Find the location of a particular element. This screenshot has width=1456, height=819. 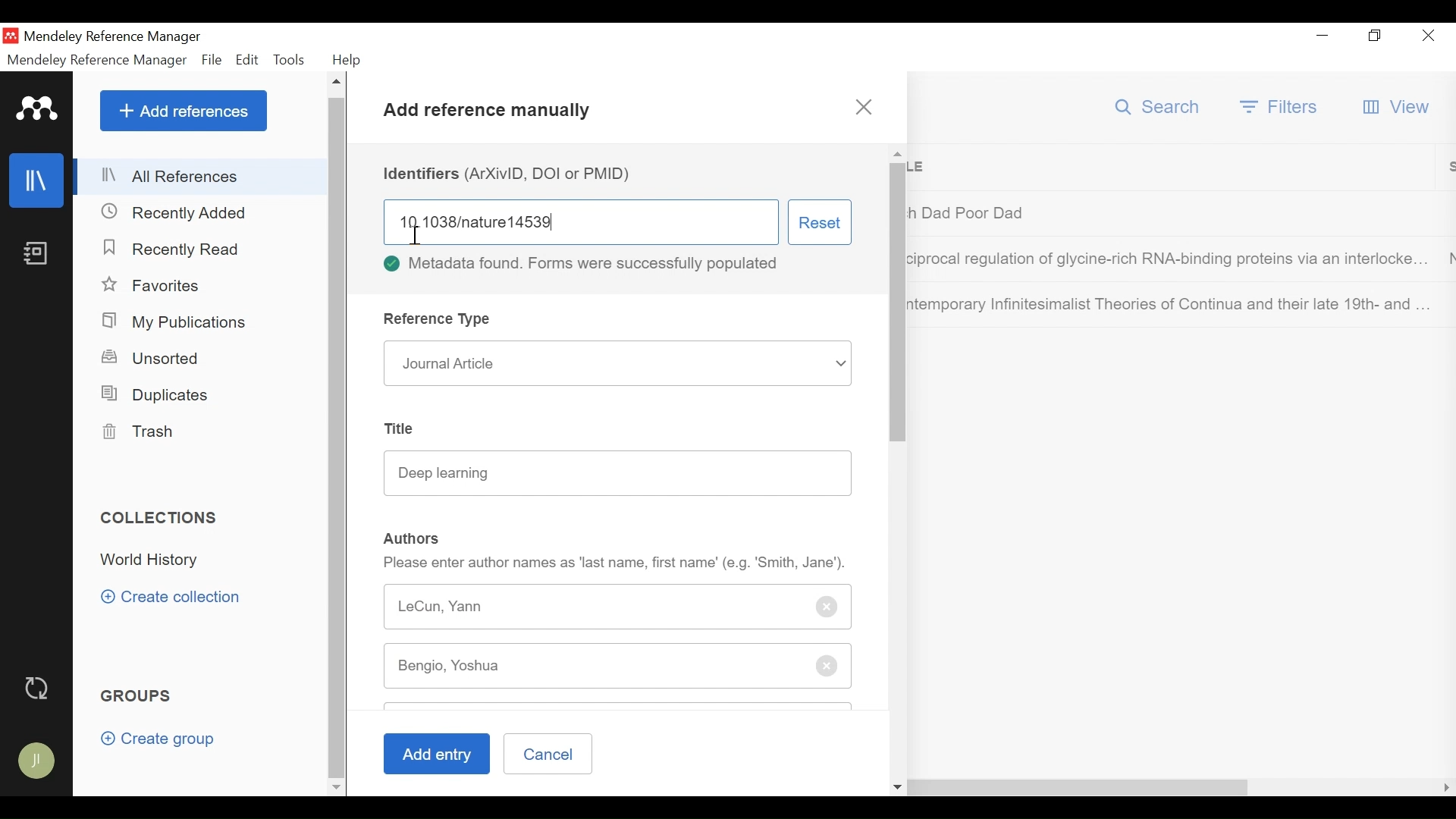

Unsorted is located at coordinates (162, 359).